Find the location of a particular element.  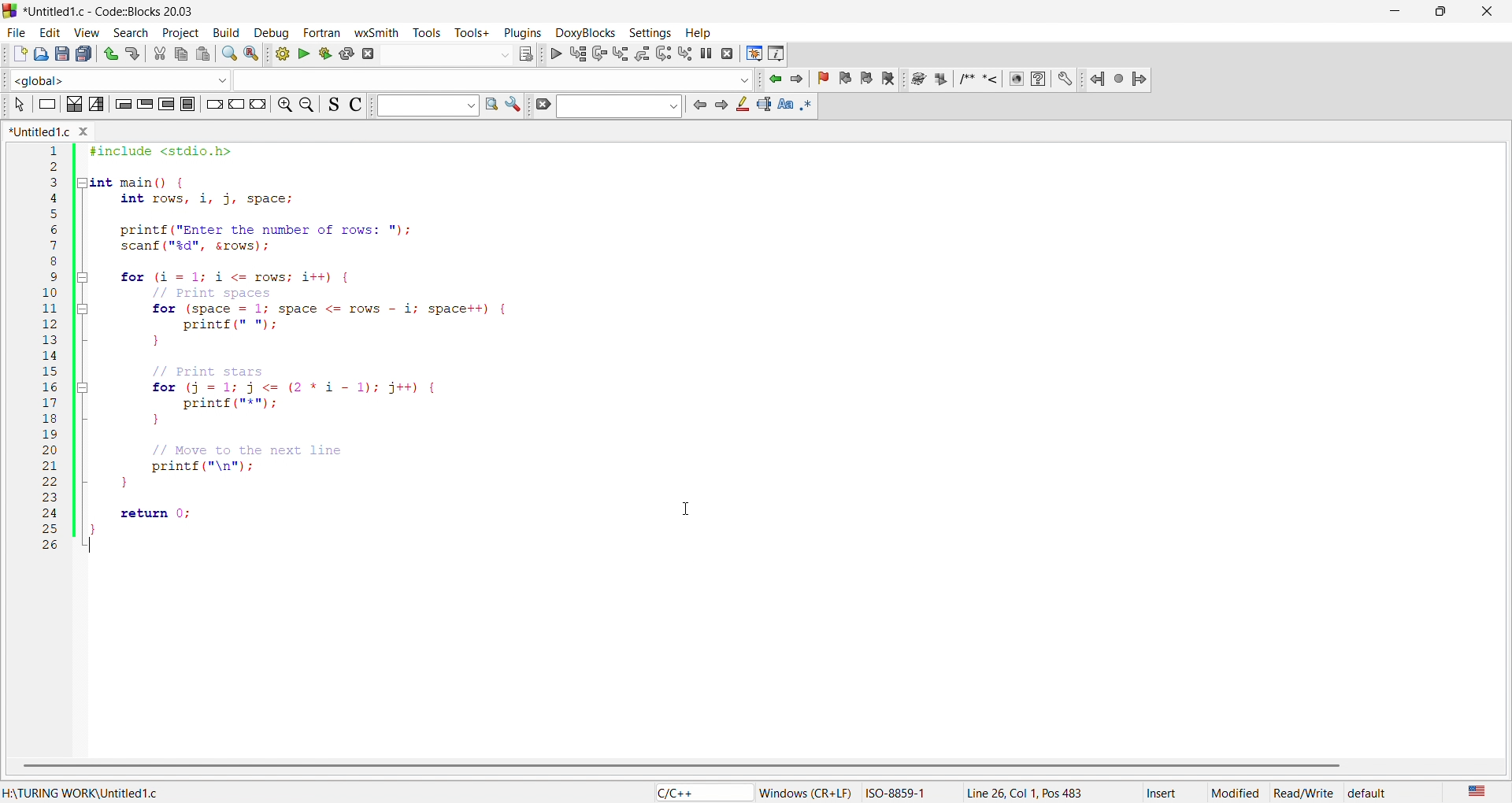

icon is located at coordinates (721, 107).